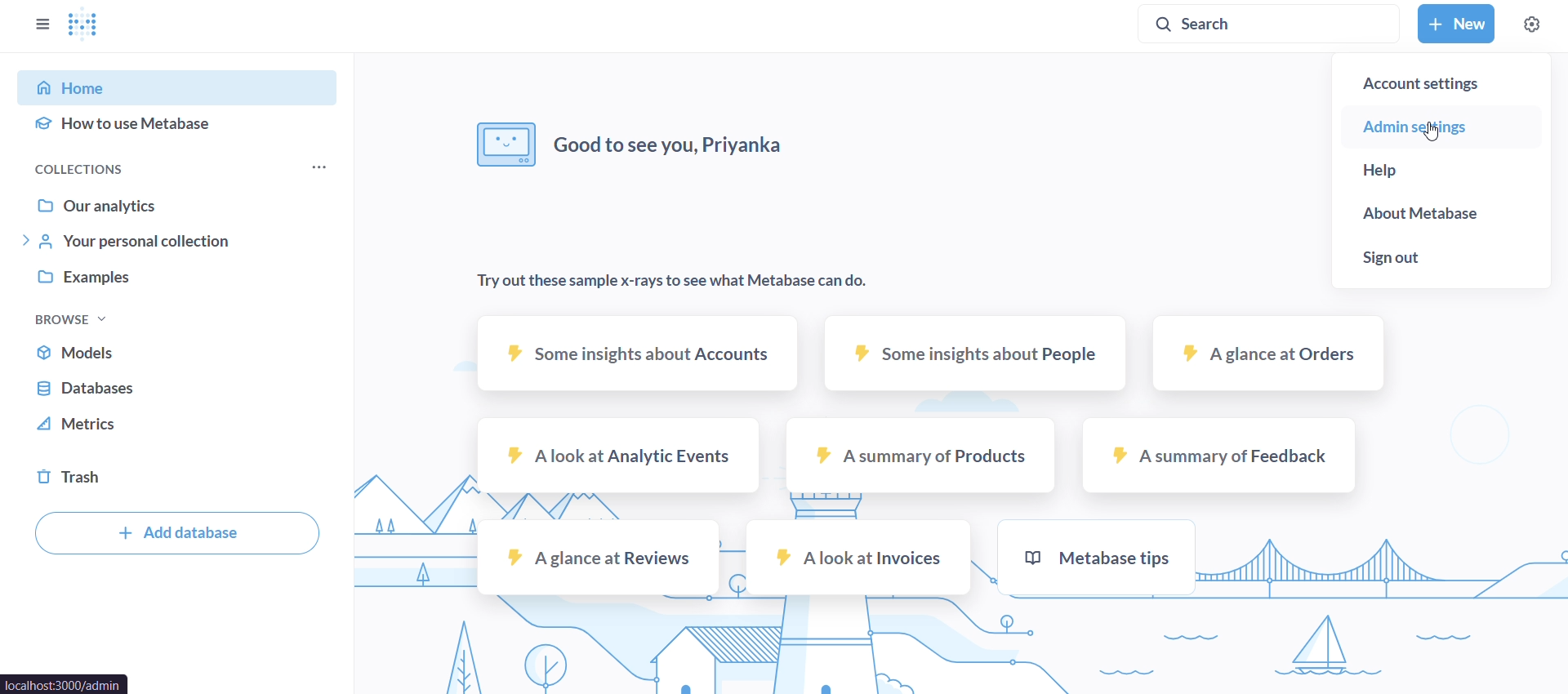 The height and width of the screenshot is (694, 1568). What do you see at coordinates (673, 281) in the screenshot?
I see `try out these sample x-rays to see what metabase can do.` at bounding box center [673, 281].